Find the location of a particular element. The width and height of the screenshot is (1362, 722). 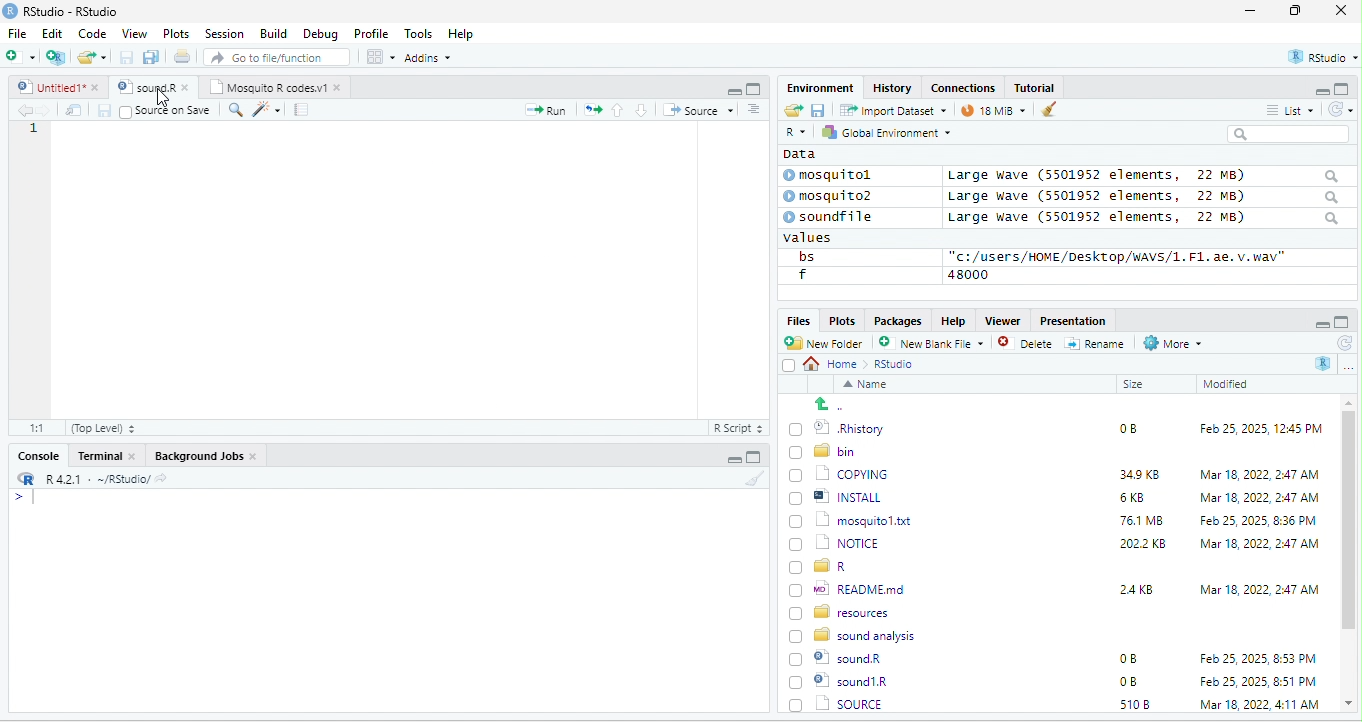

RStudio is located at coordinates (64, 10).